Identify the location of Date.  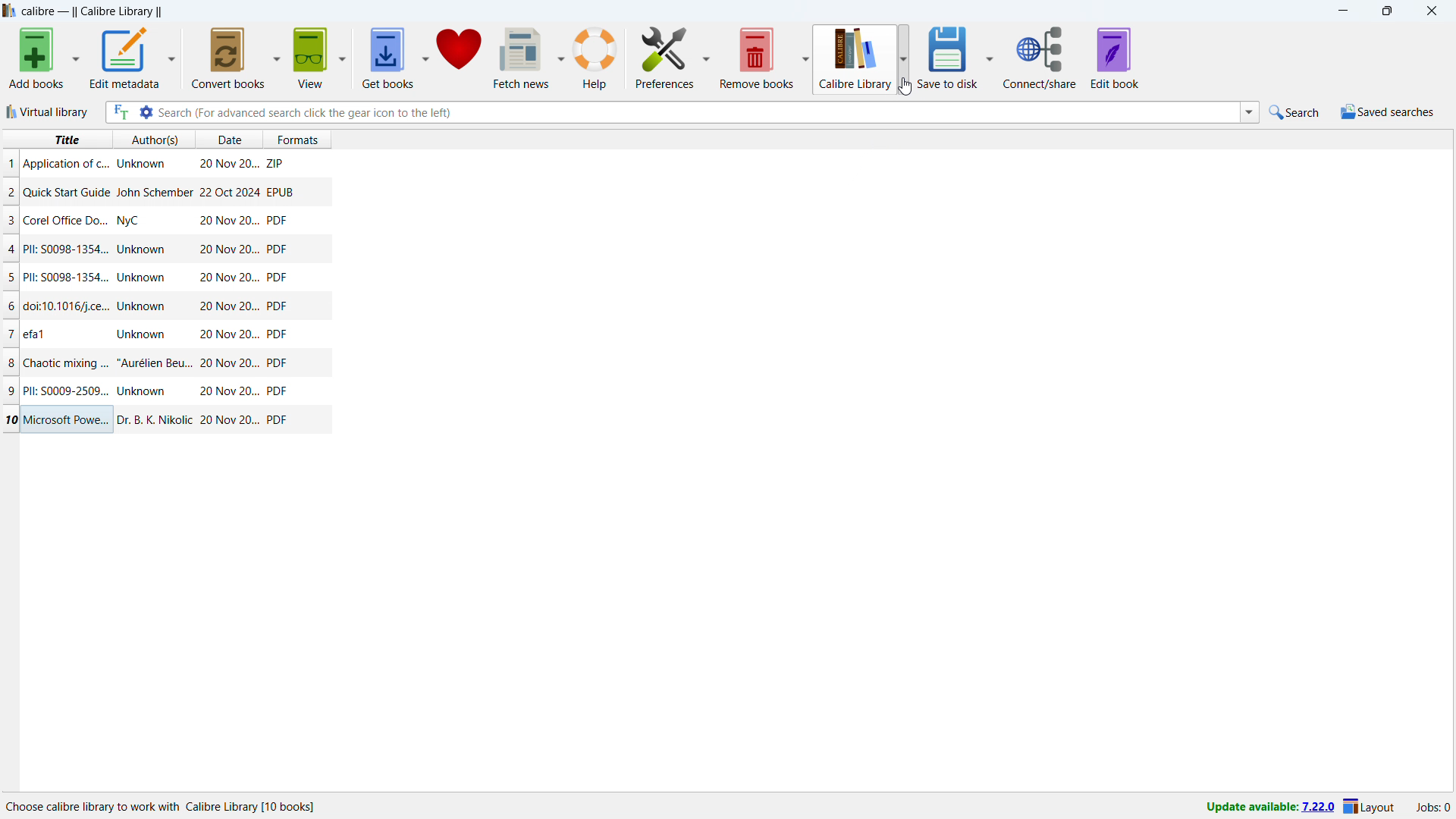
(227, 221).